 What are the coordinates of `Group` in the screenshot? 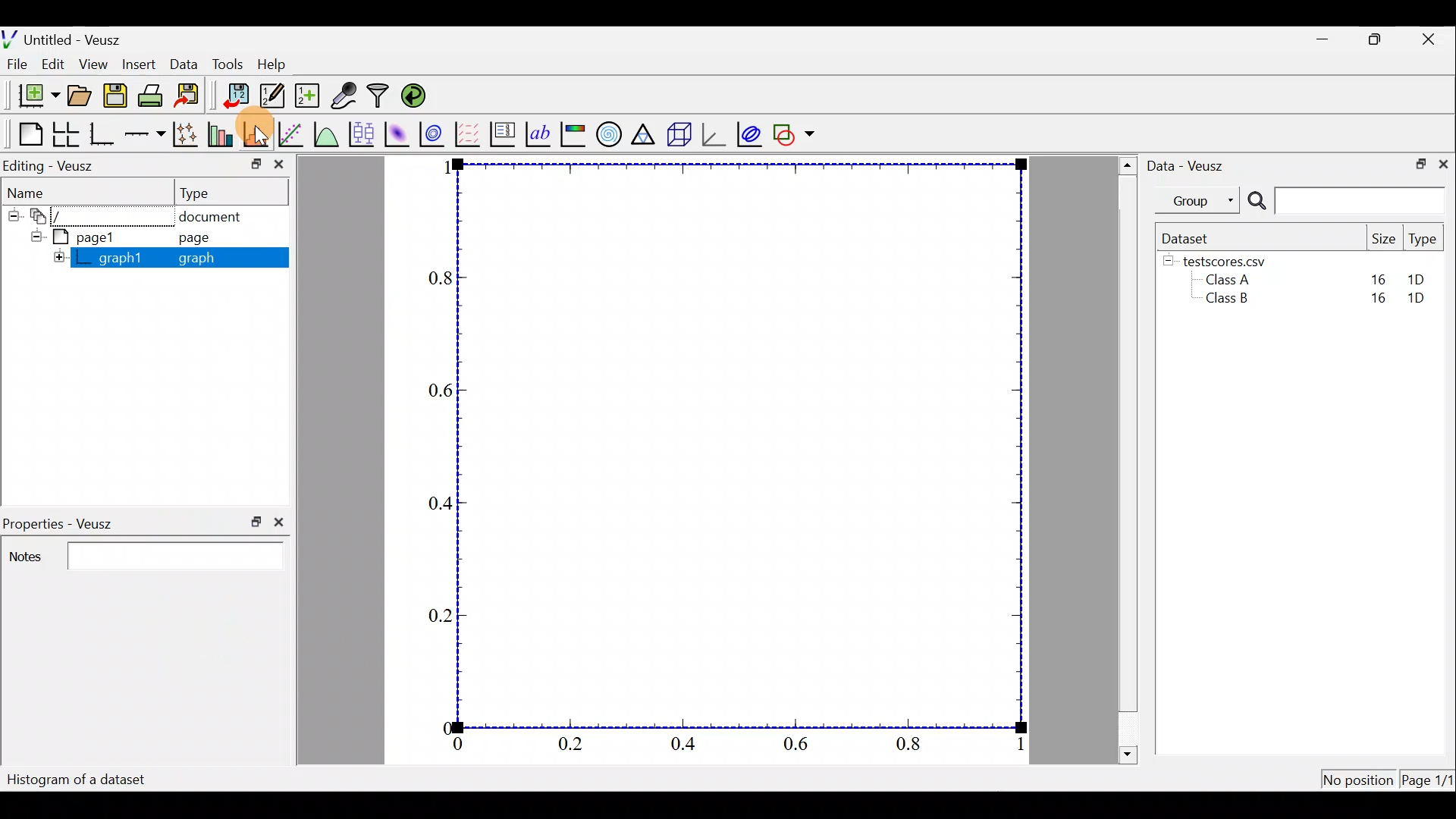 It's located at (1200, 200).